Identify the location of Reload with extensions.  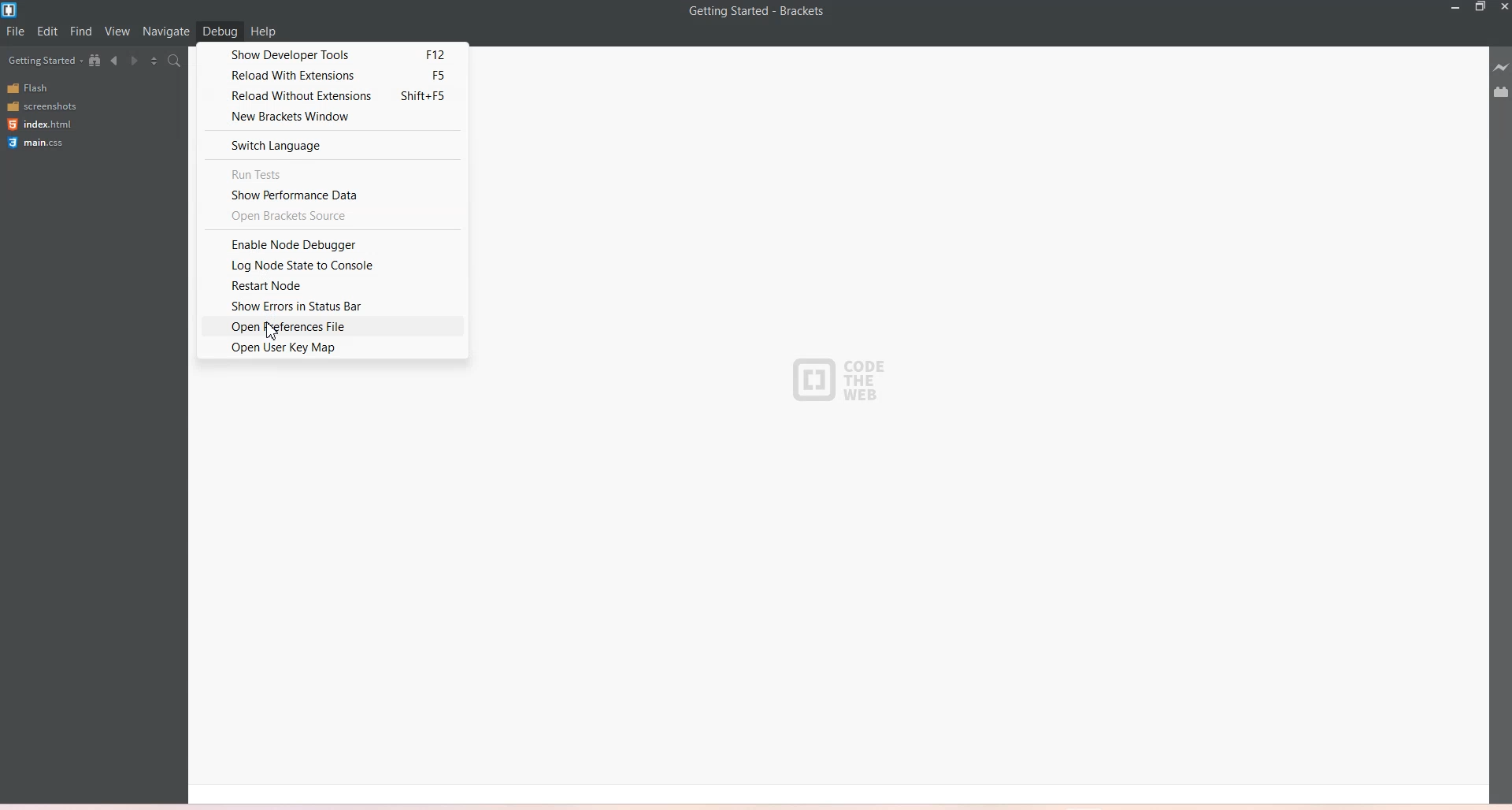
(332, 74).